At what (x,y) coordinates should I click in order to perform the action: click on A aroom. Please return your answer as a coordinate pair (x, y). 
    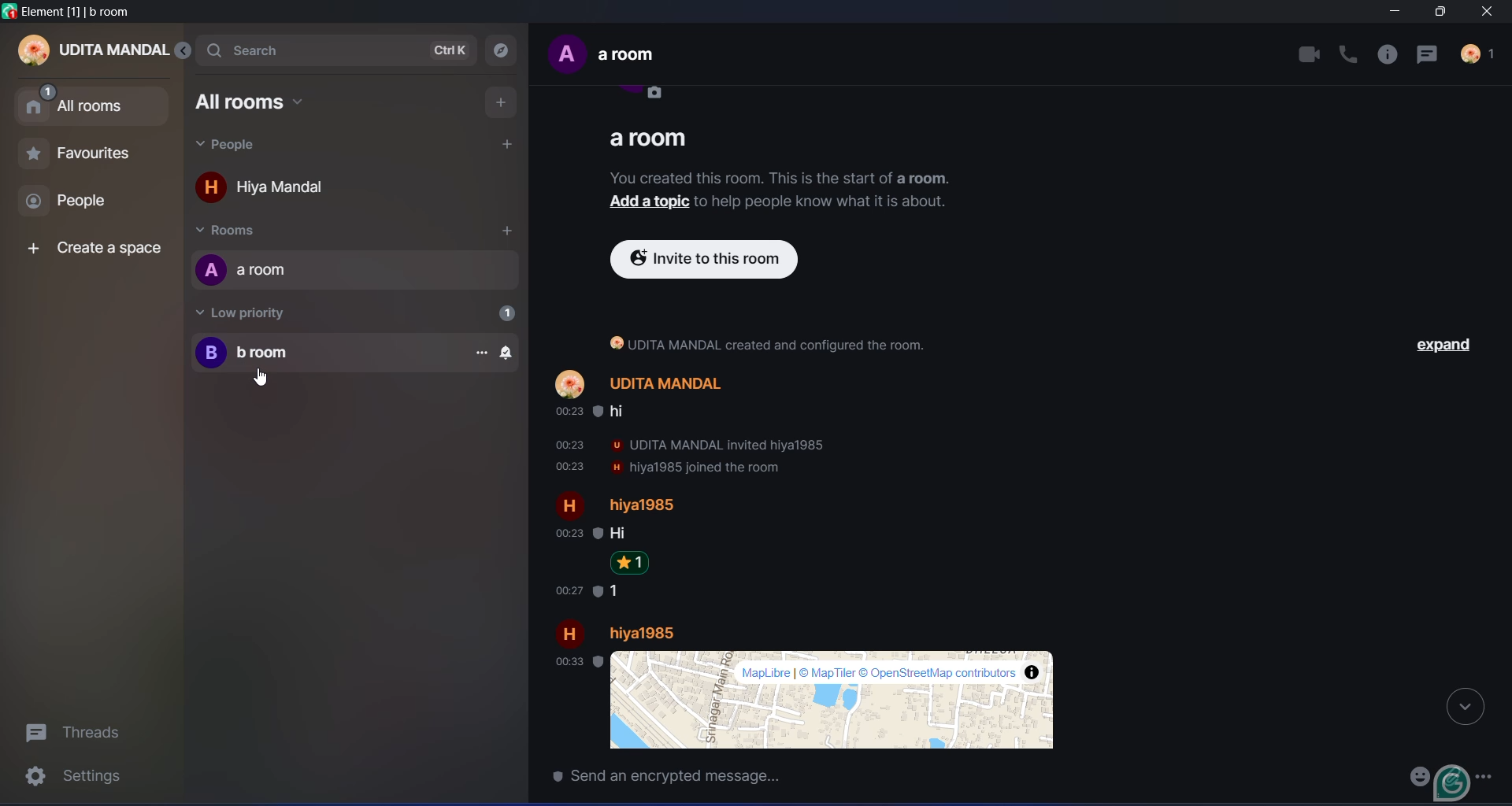
    Looking at the image, I should click on (622, 65).